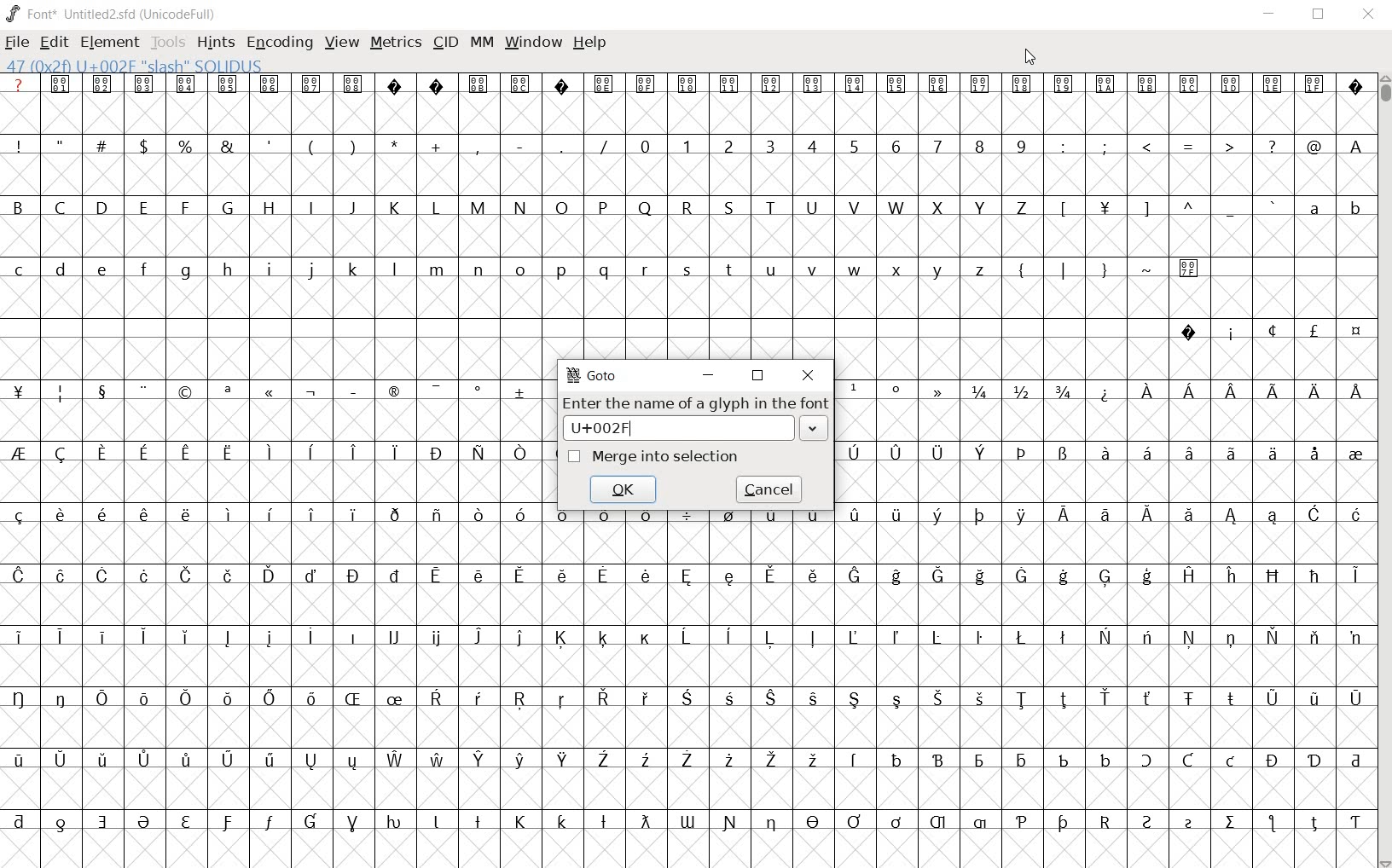 The height and width of the screenshot is (868, 1392). I want to click on empty cells, so click(687, 664).